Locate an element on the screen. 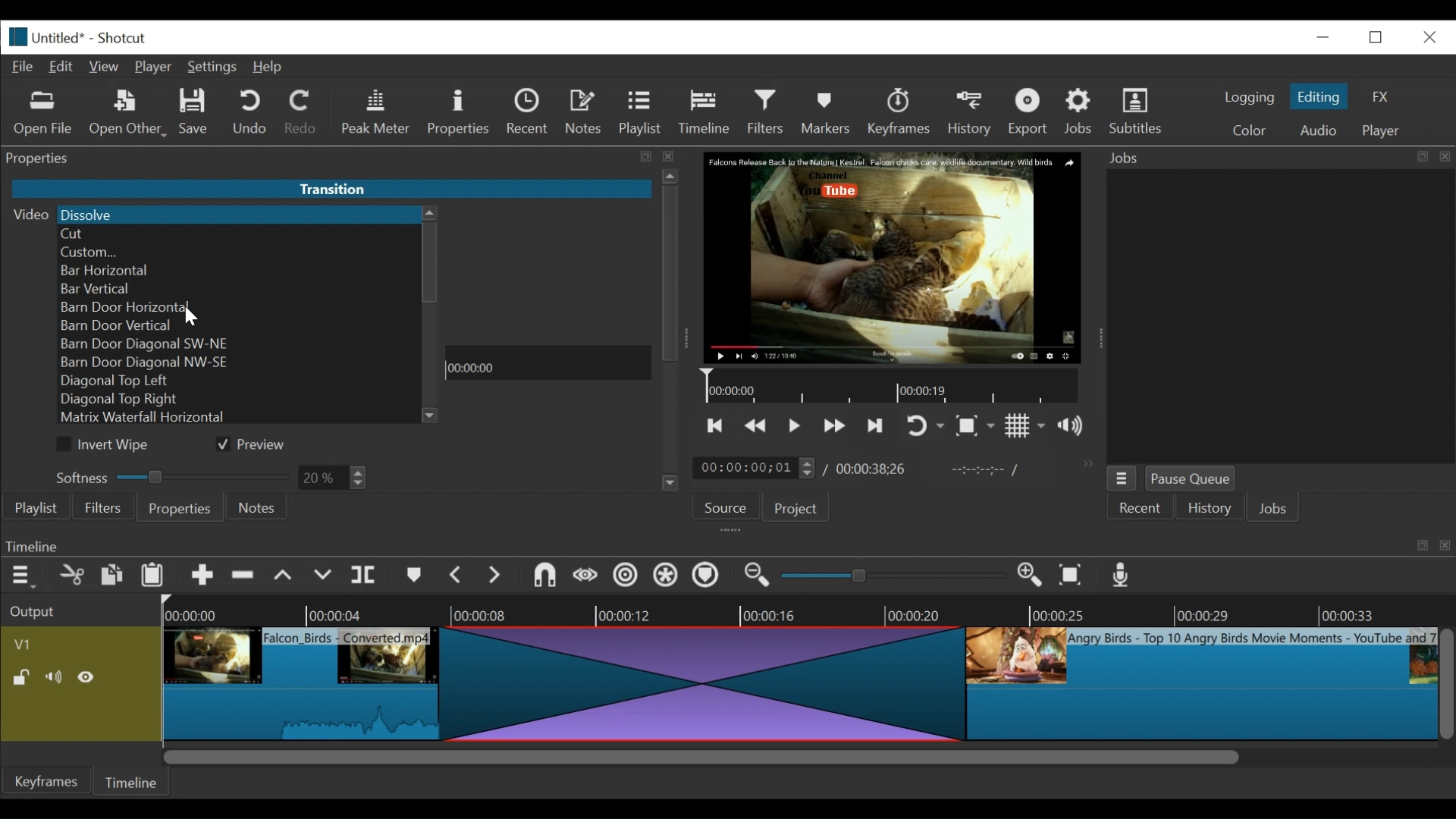 Image resolution: width=1456 pixels, height=819 pixels. markers is located at coordinates (413, 579).